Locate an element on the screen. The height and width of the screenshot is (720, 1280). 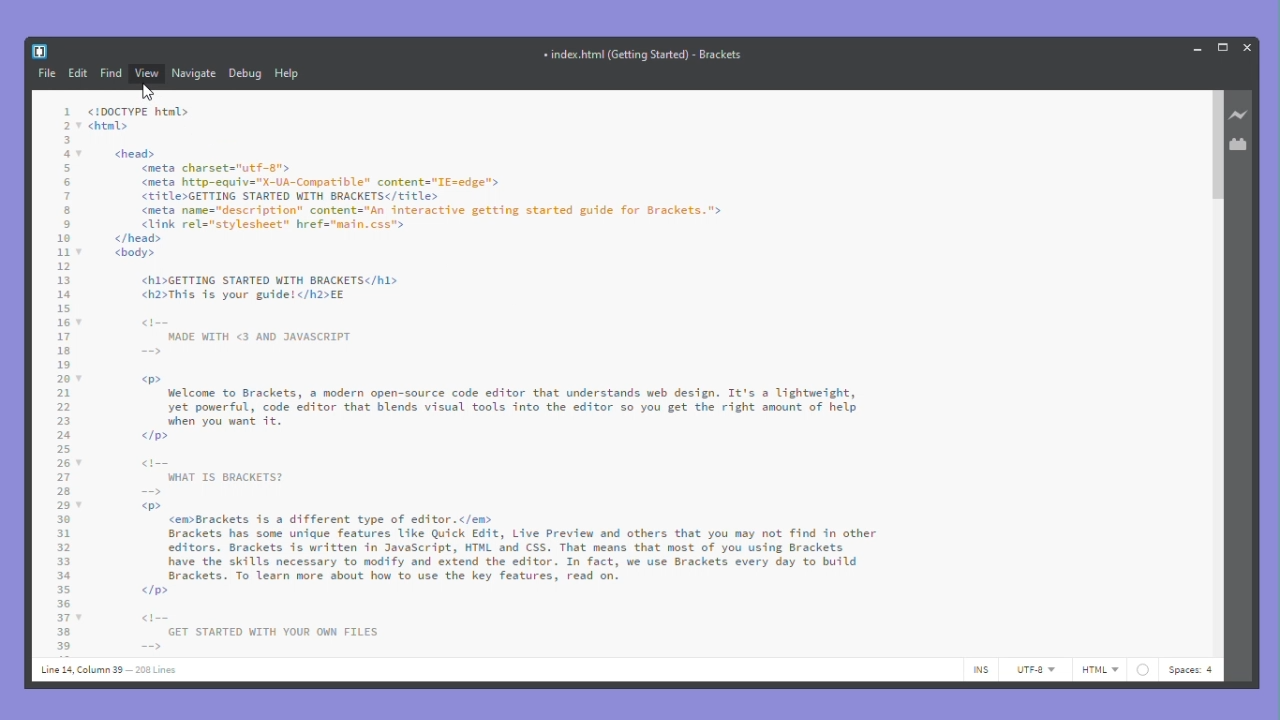
Brackets logo is located at coordinates (39, 51).